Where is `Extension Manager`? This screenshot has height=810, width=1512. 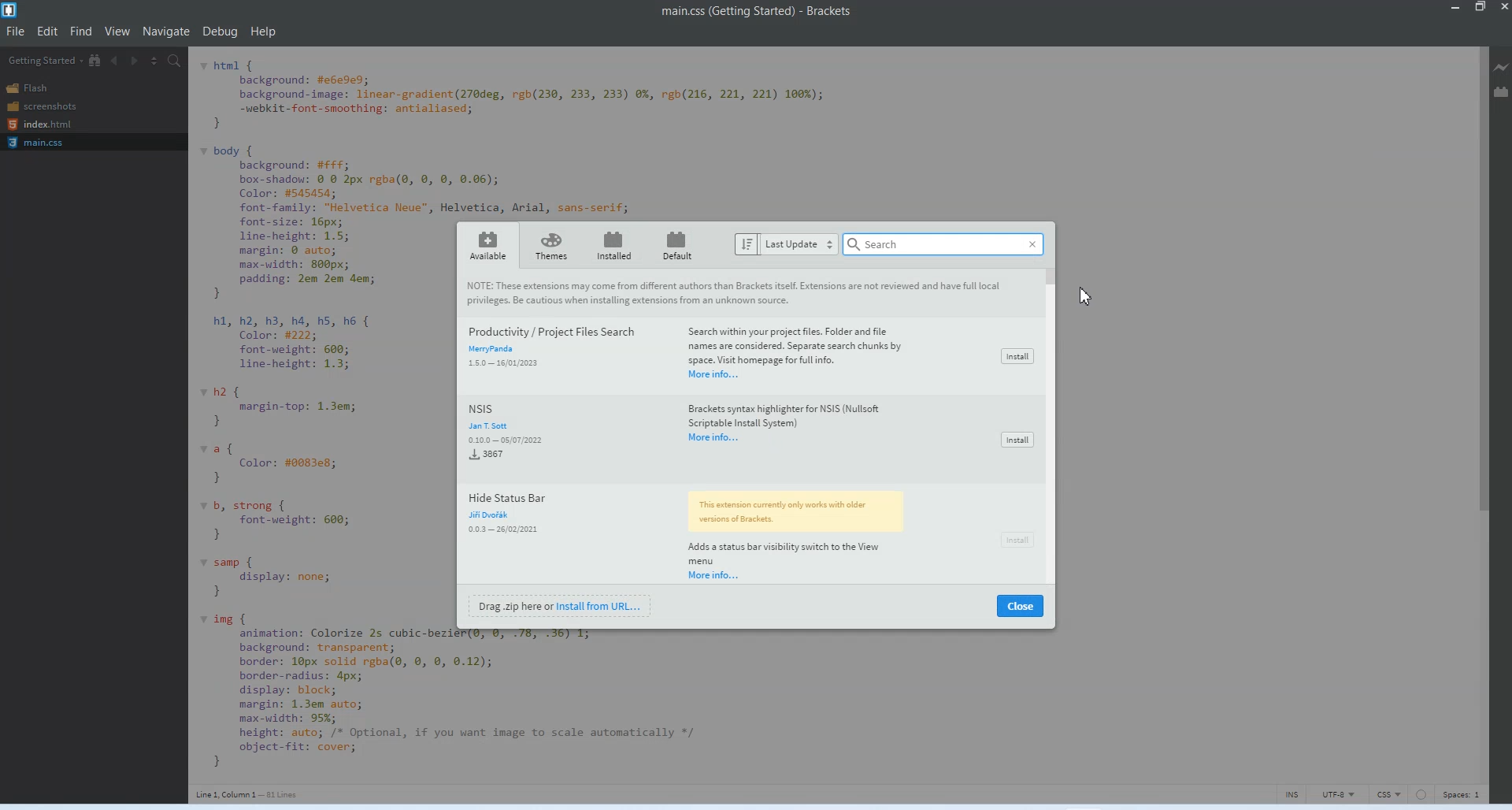
Extension Manager is located at coordinates (1502, 91).